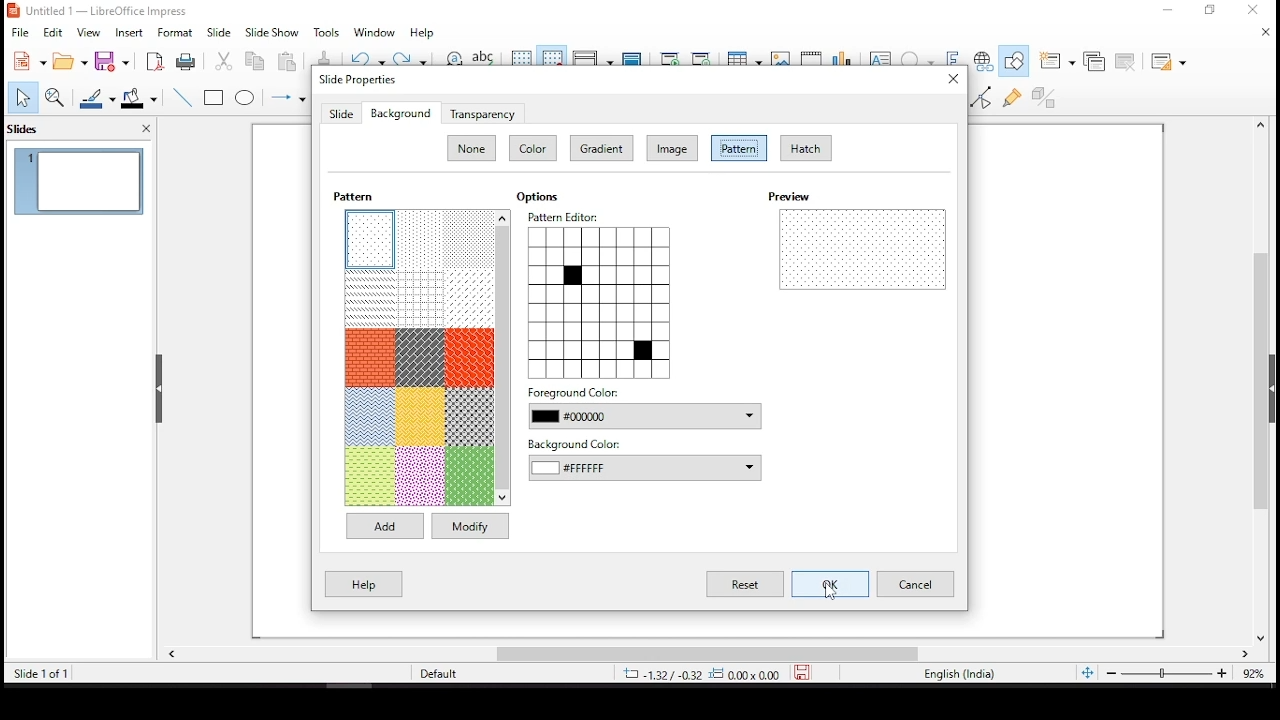 This screenshot has width=1280, height=720. Describe the element at coordinates (470, 525) in the screenshot. I see `modify` at that location.